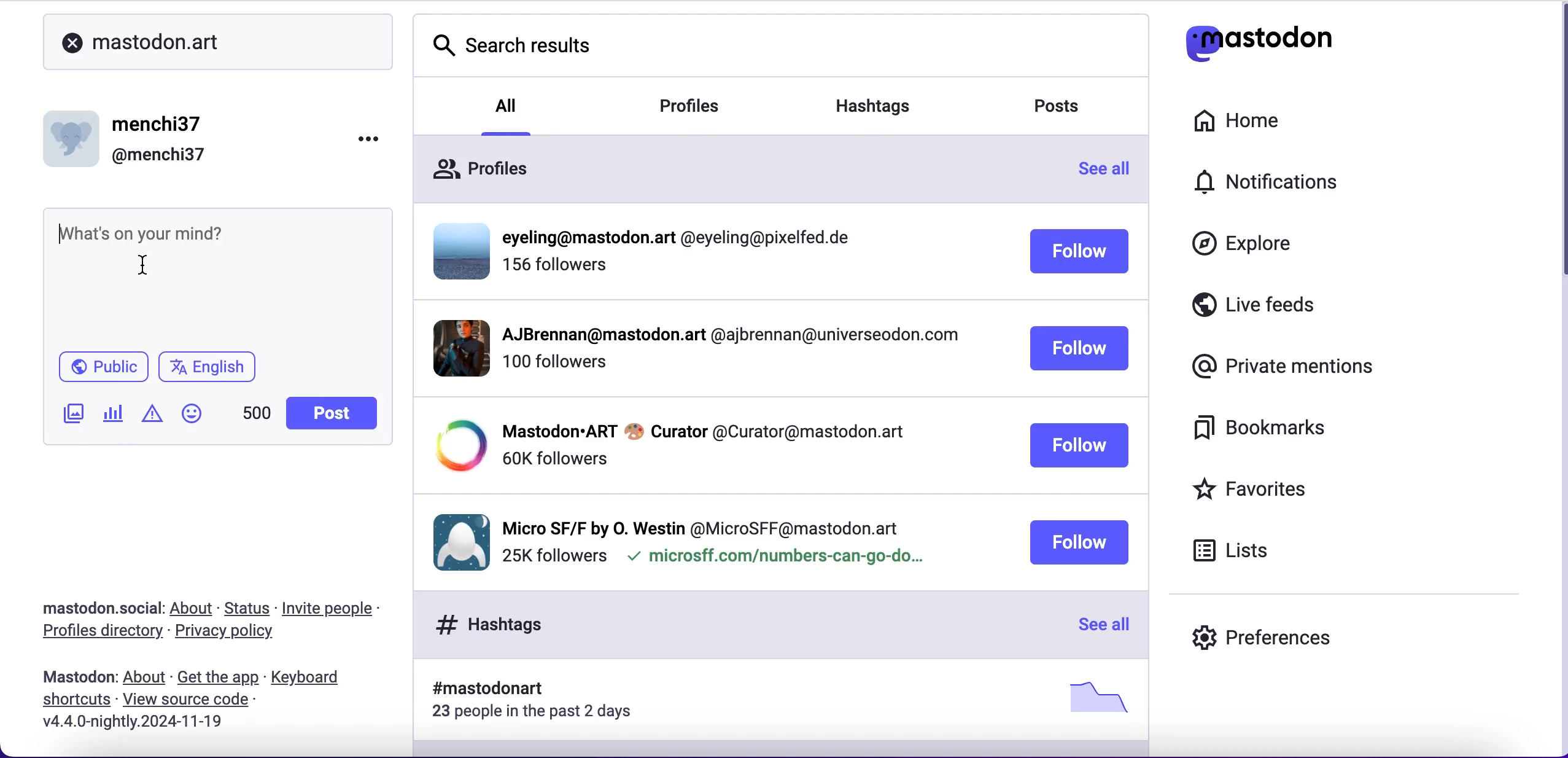 The height and width of the screenshot is (758, 1568). What do you see at coordinates (457, 249) in the screenshot?
I see `display picture` at bounding box center [457, 249].